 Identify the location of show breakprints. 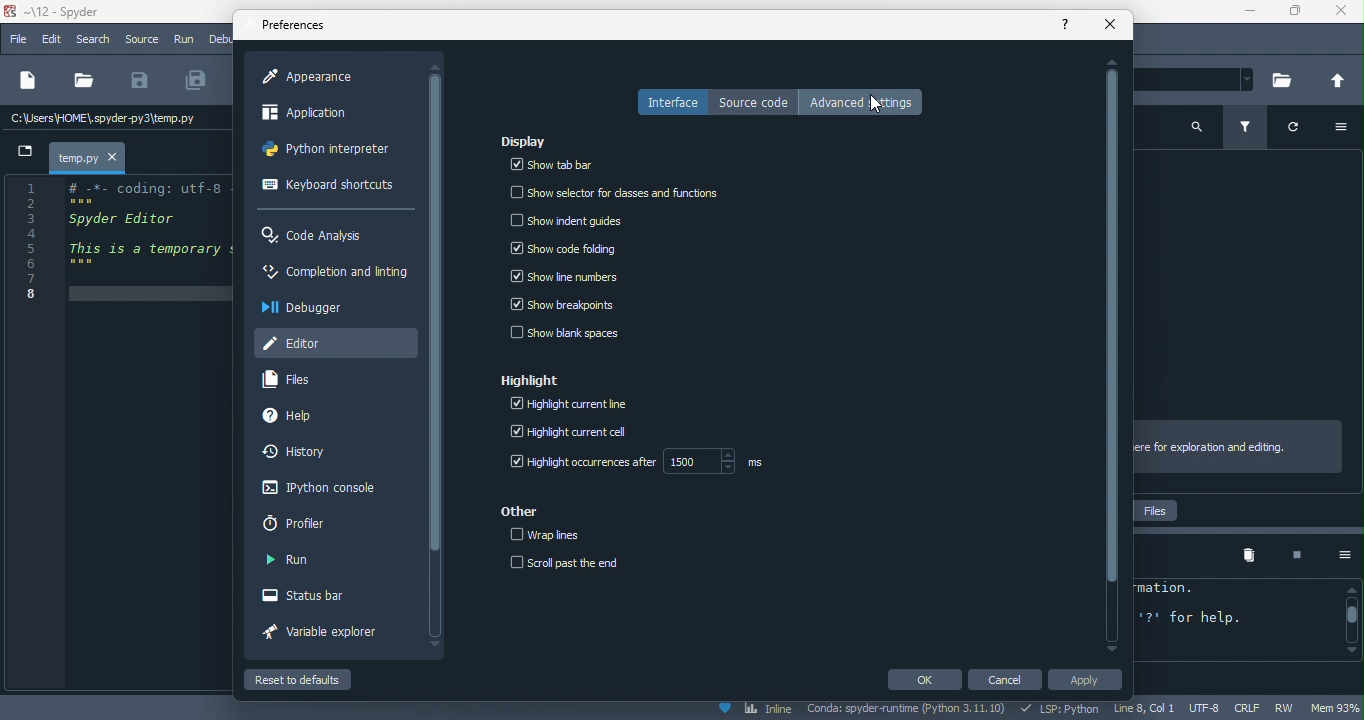
(563, 307).